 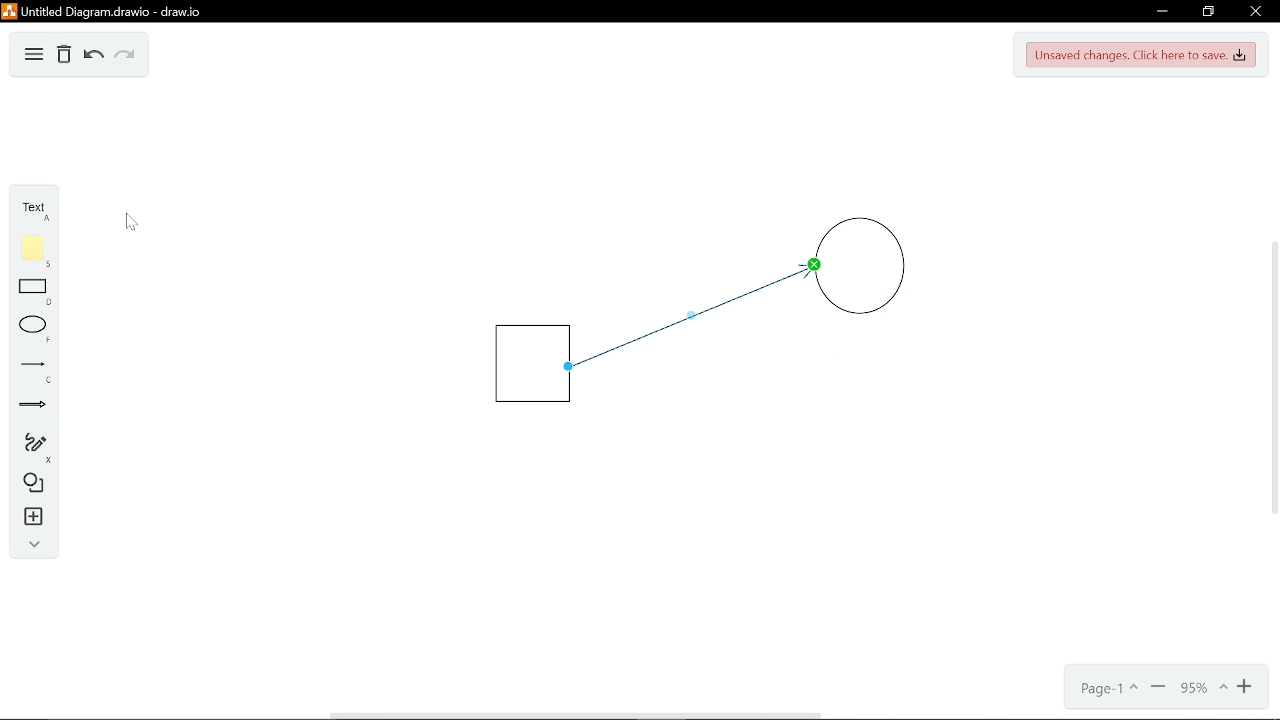 What do you see at coordinates (27, 516) in the screenshot?
I see `Insert` at bounding box center [27, 516].